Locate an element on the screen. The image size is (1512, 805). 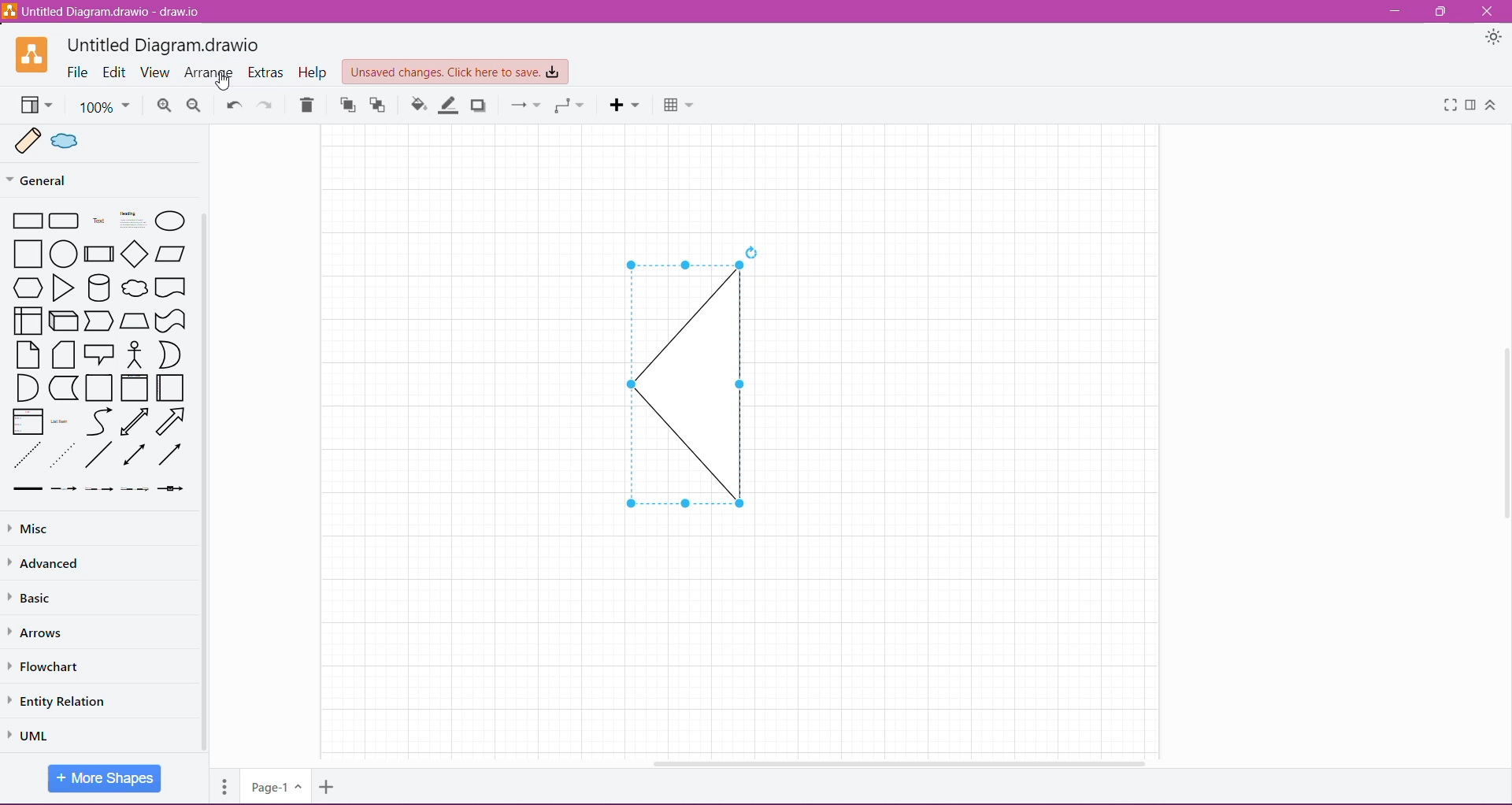
View is located at coordinates (35, 106).